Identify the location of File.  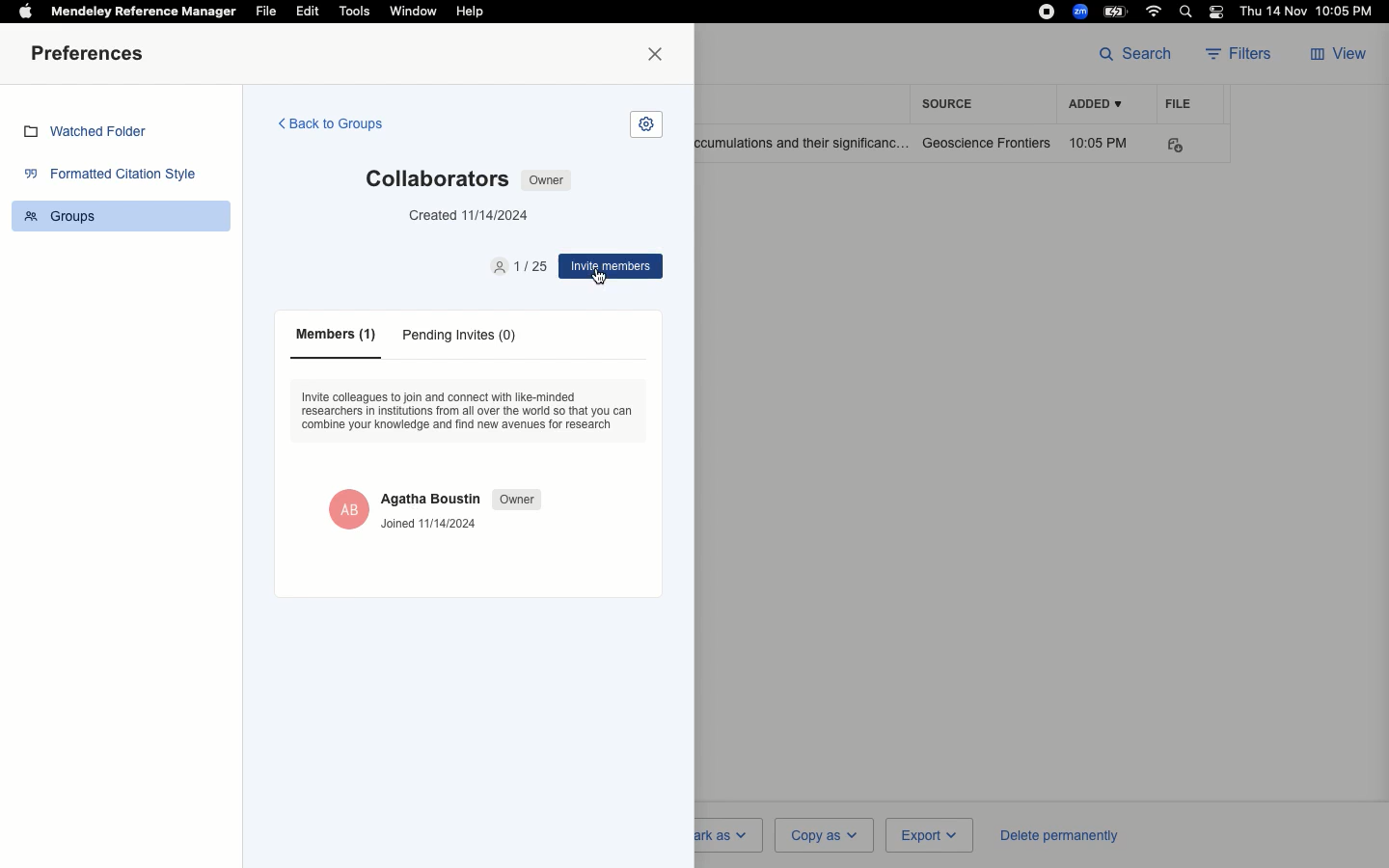
(1179, 103).